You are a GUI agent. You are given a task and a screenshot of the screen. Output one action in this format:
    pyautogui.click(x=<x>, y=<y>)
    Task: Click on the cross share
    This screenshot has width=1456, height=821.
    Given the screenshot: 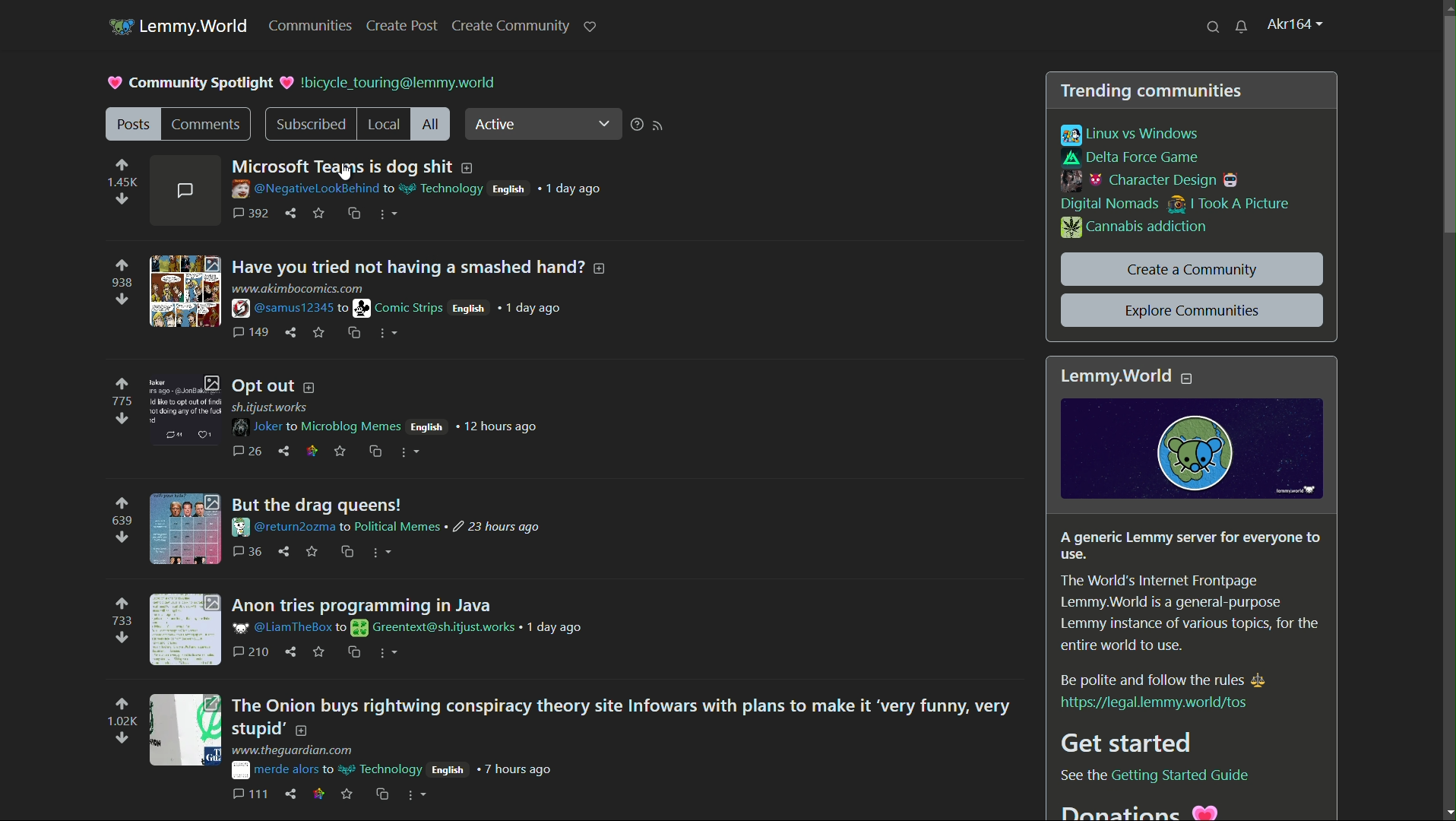 What is the action you would take?
    pyautogui.click(x=355, y=214)
    